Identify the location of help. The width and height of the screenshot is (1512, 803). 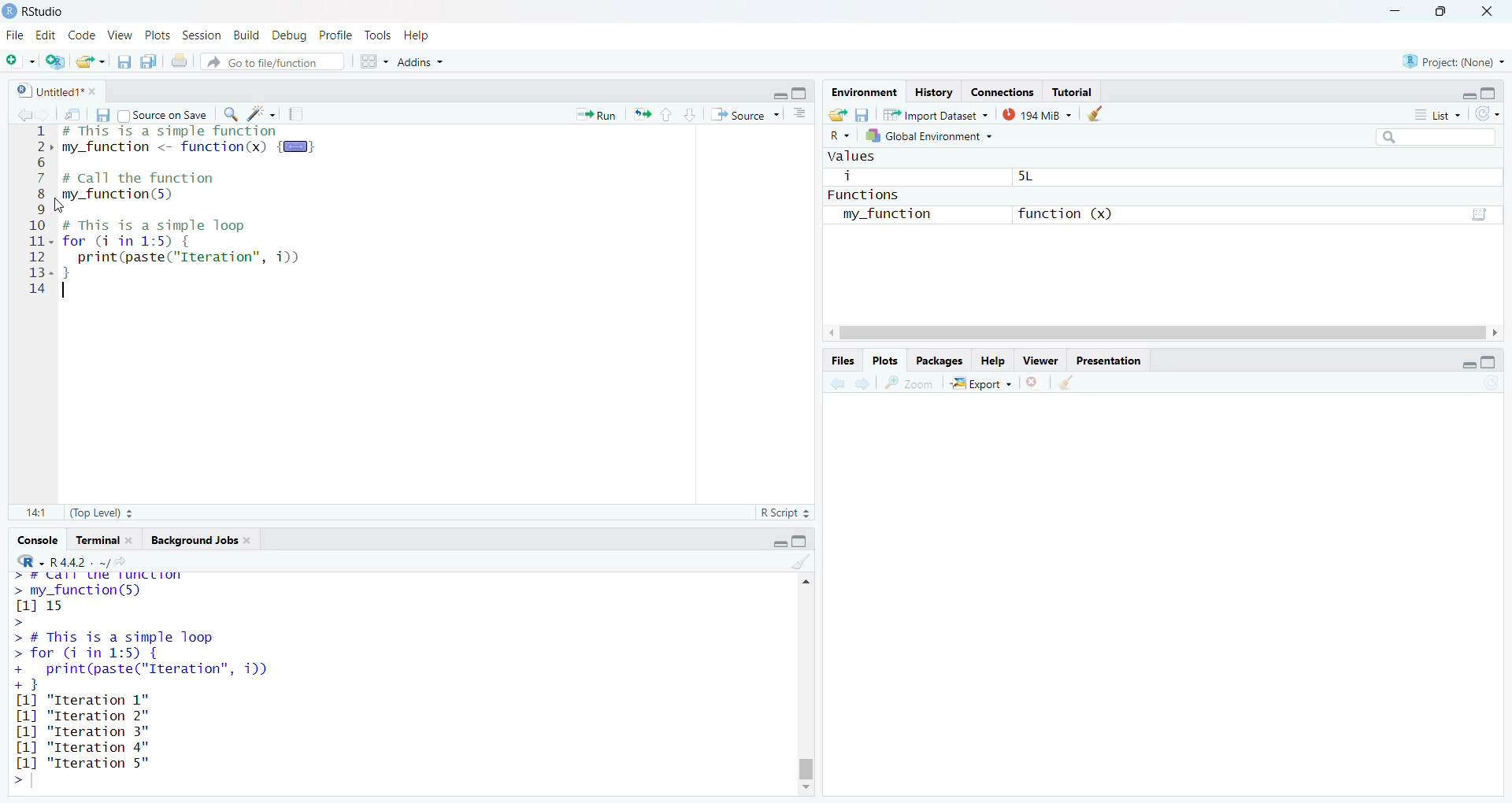
(422, 34).